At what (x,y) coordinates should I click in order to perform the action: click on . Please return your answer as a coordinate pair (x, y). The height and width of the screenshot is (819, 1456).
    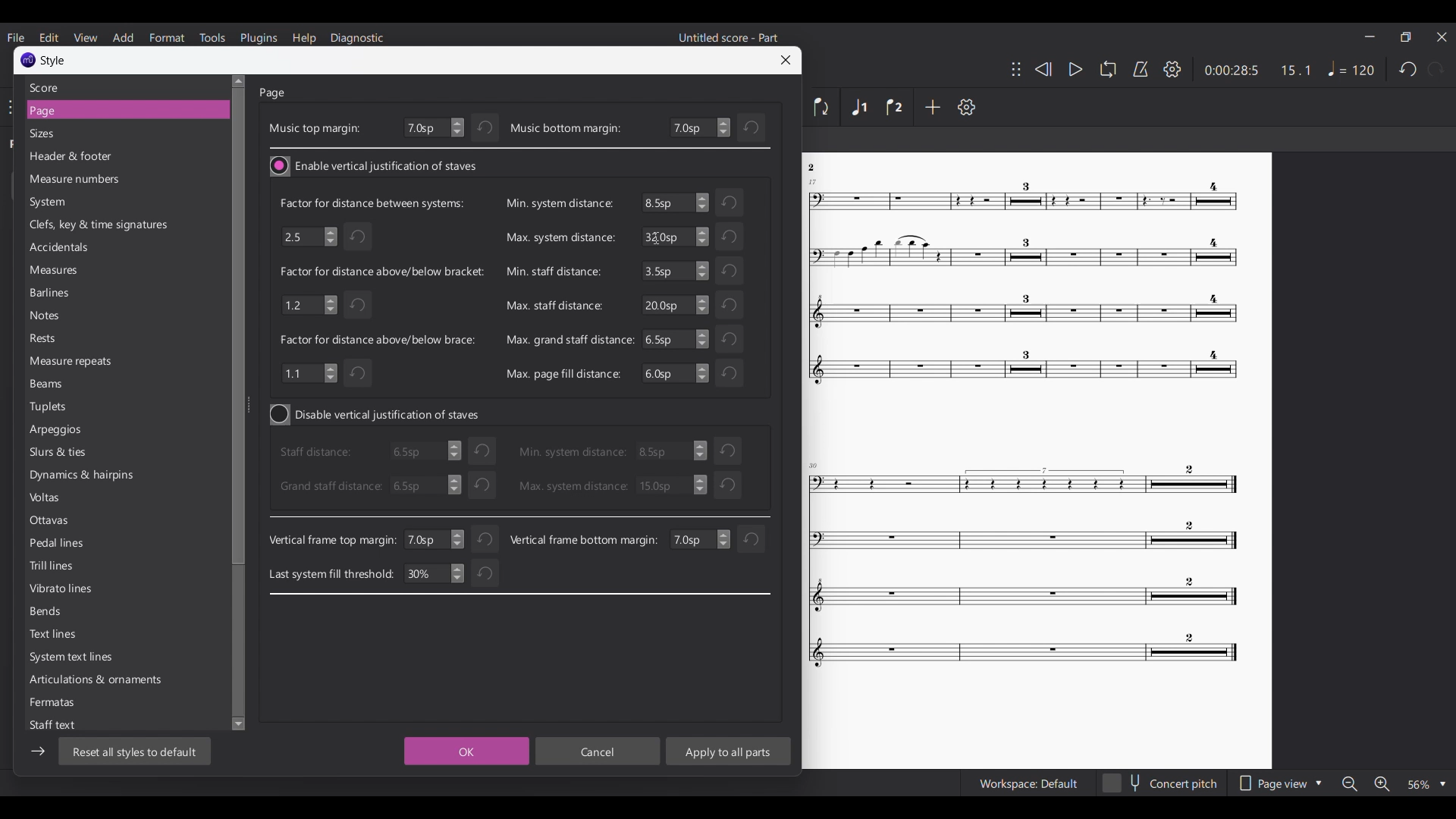
    Looking at the image, I should click on (1021, 570).